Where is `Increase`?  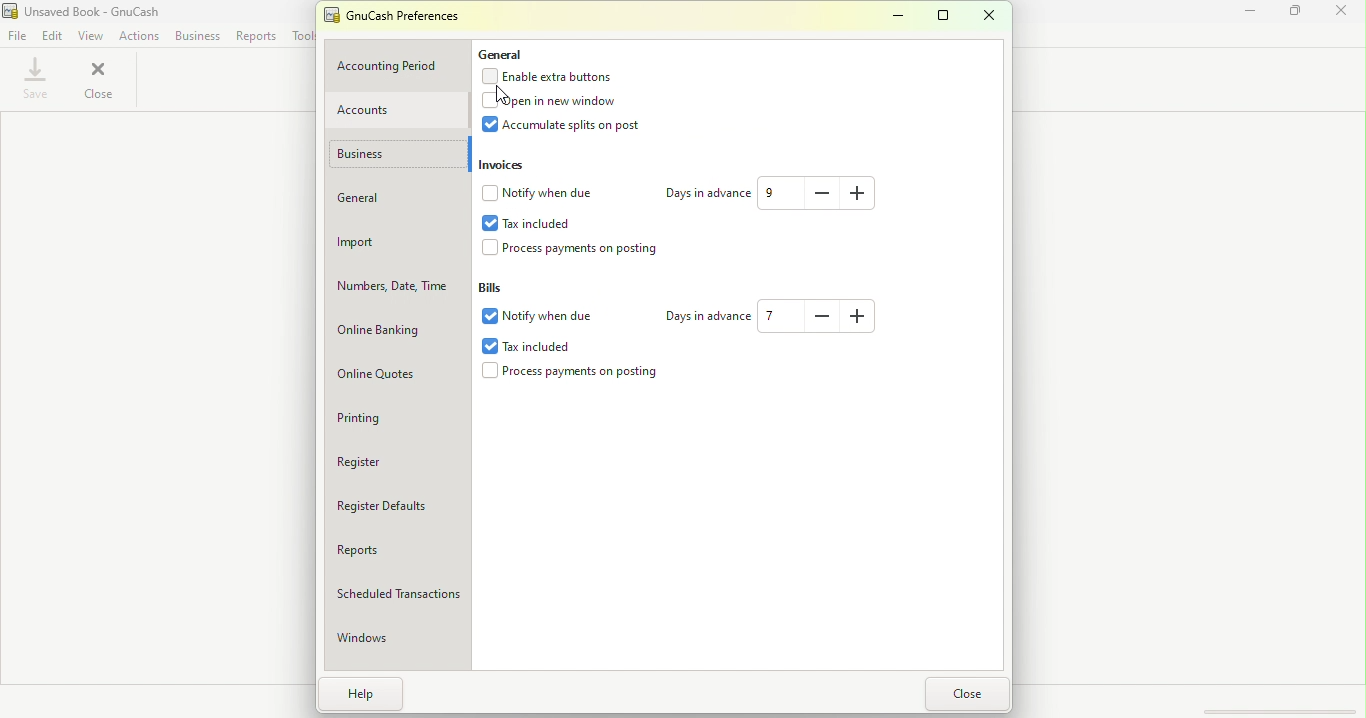 Increase is located at coordinates (853, 194).